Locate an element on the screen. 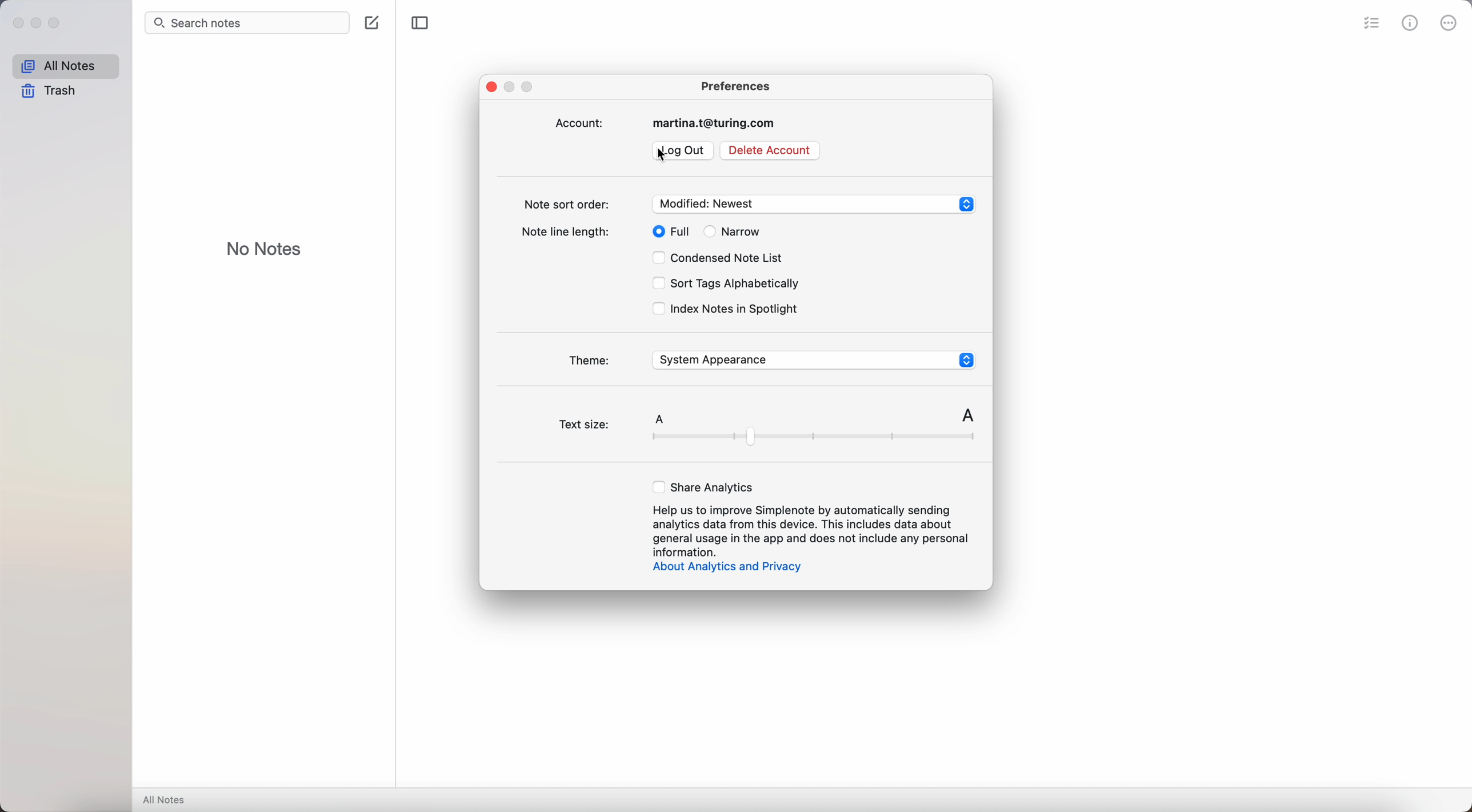 This screenshot has height=812, width=1472. chrckbox is located at coordinates (709, 233).